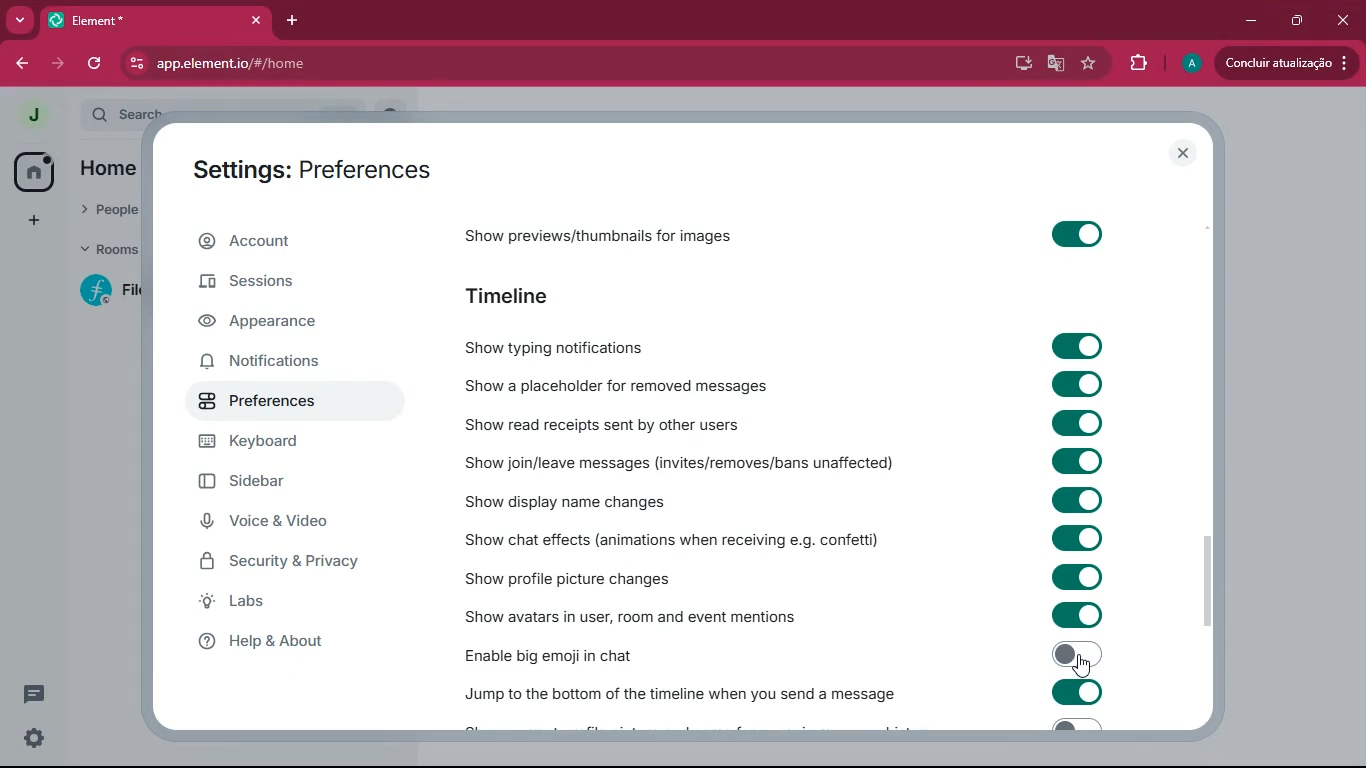 This screenshot has height=768, width=1366. What do you see at coordinates (35, 172) in the screenshot?
I see `home` at bounding box center [35, 172].